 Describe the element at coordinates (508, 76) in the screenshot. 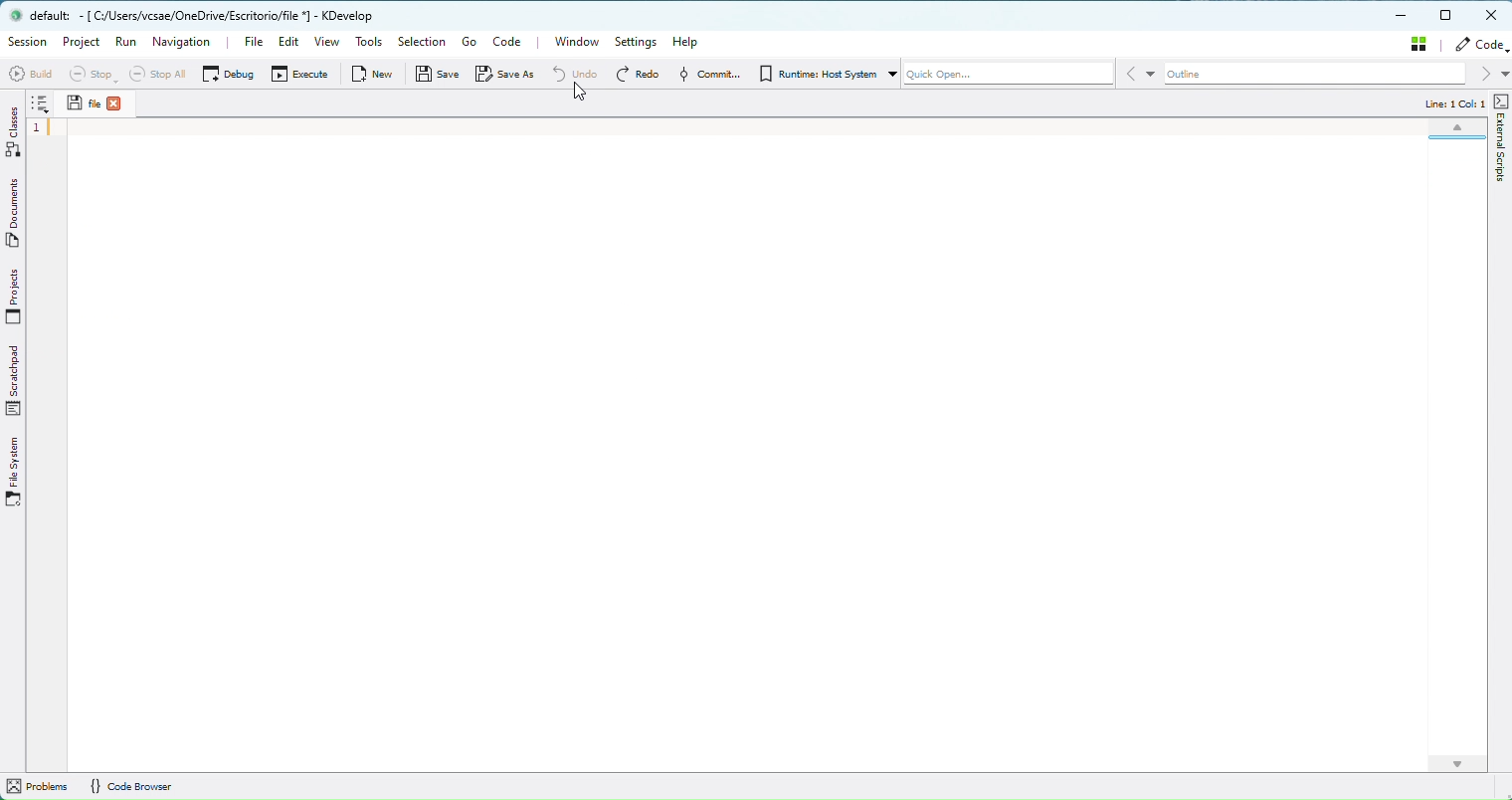

I see `Save as` at that location.